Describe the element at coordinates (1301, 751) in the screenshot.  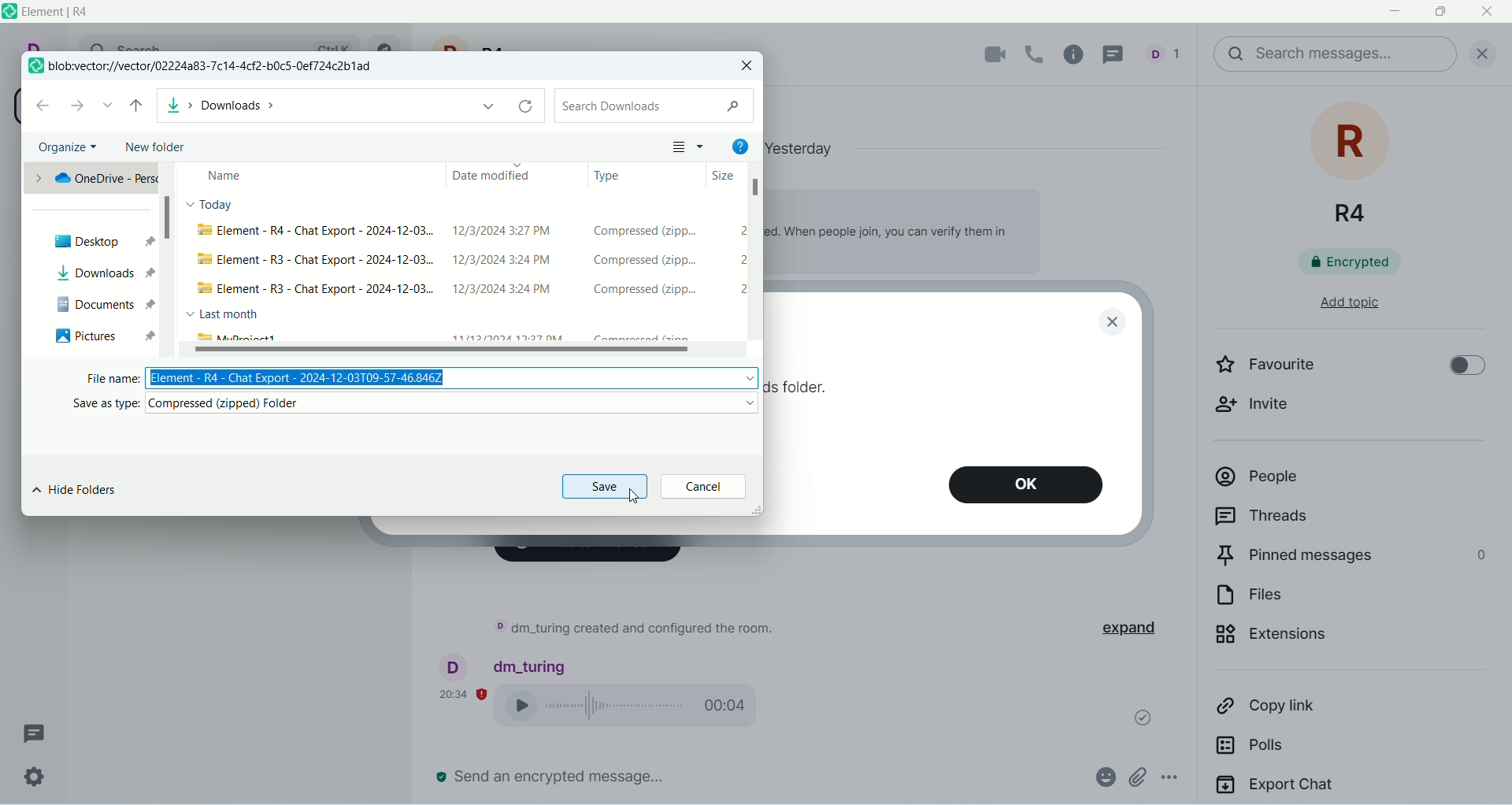
I see `polls` at that location.